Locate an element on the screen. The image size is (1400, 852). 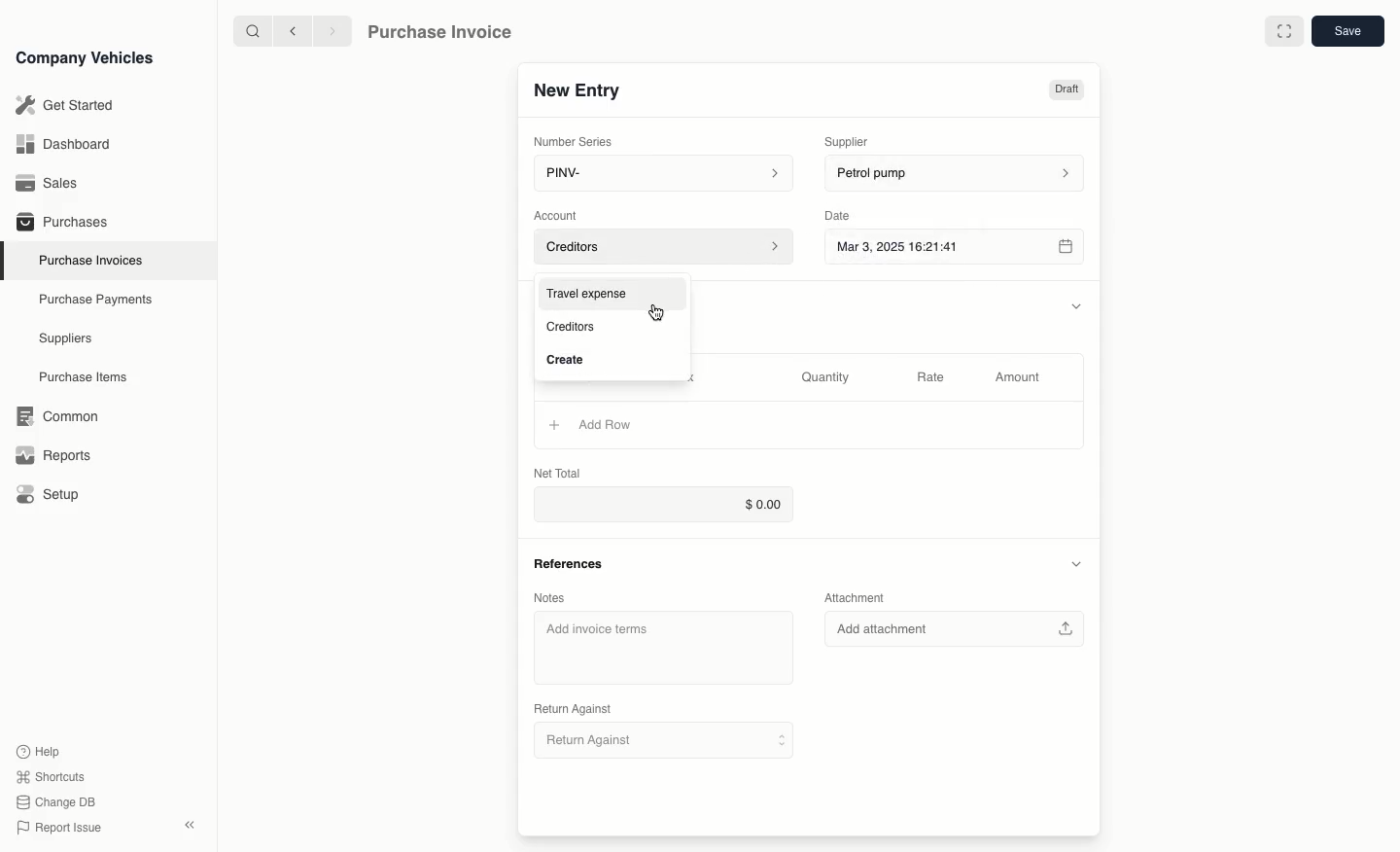
Draft is located at coordinates (1065, 88).